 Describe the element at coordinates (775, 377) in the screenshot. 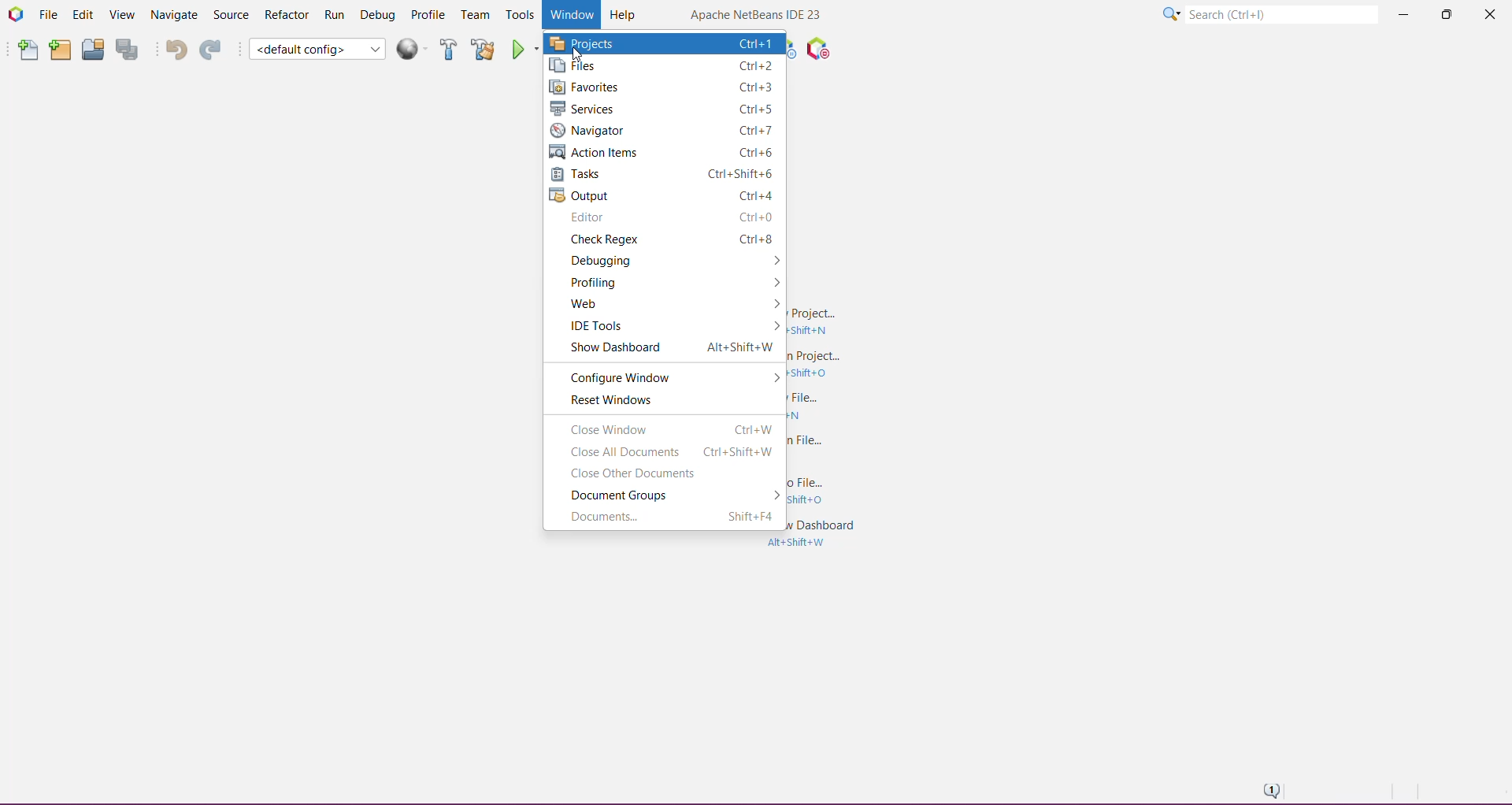

I see `More Options` at that location.